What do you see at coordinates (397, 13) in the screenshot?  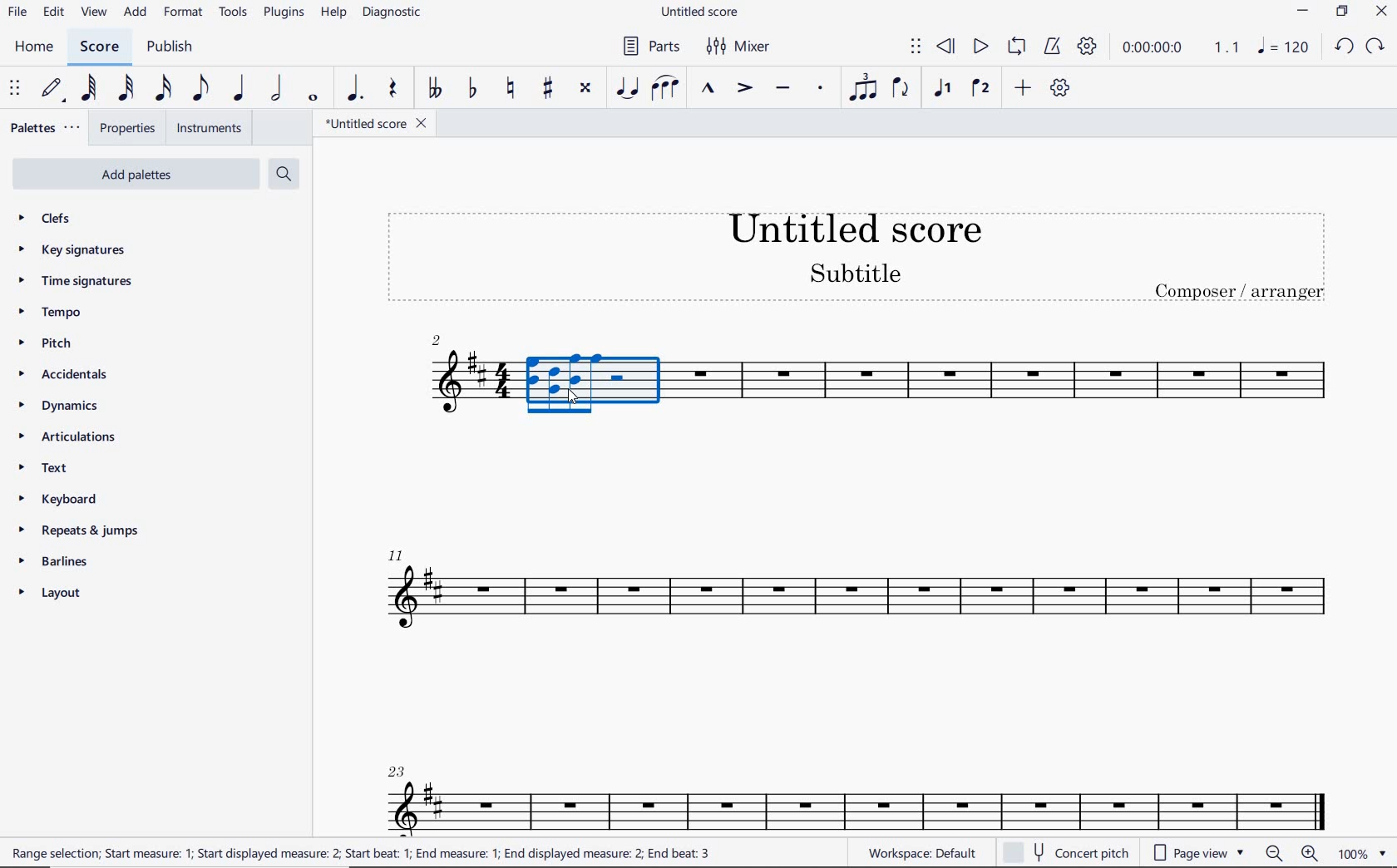 I see `DIAGNOSTIC` at bounding box center [397, 13].